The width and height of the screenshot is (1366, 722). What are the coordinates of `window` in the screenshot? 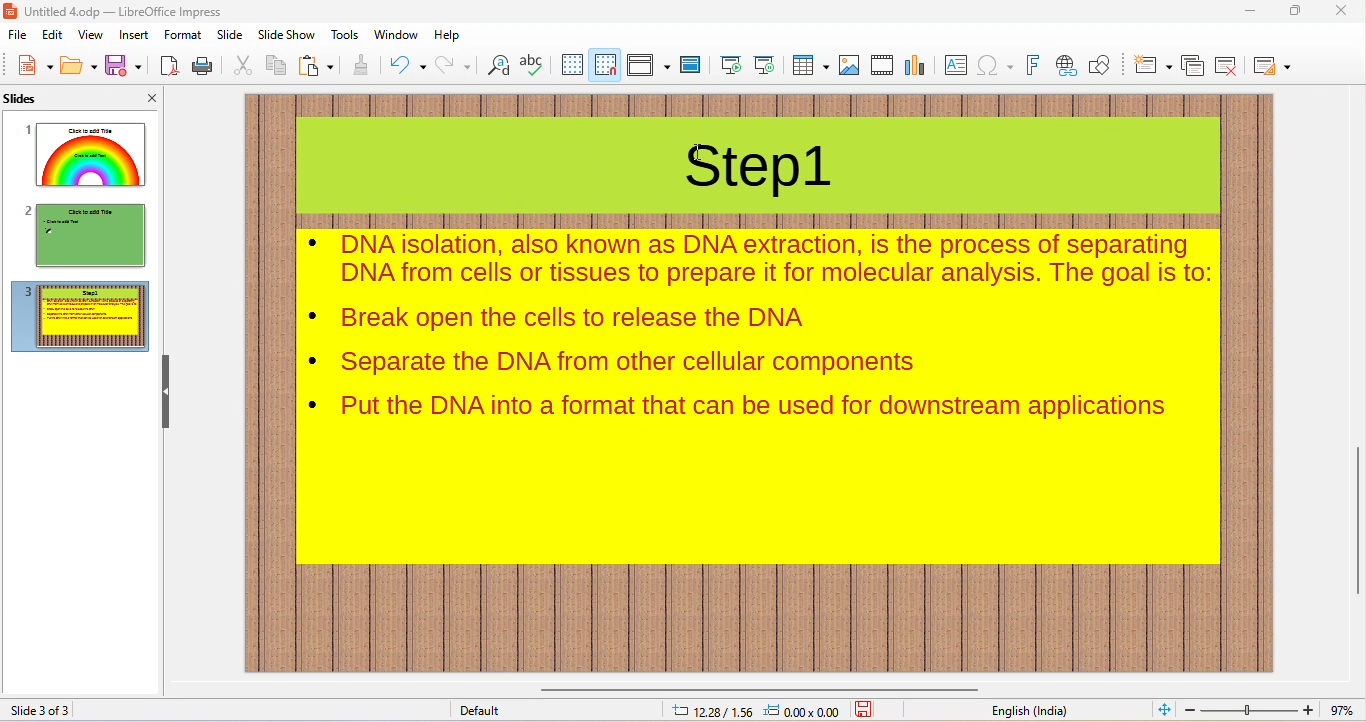 It's located at (394, 36).